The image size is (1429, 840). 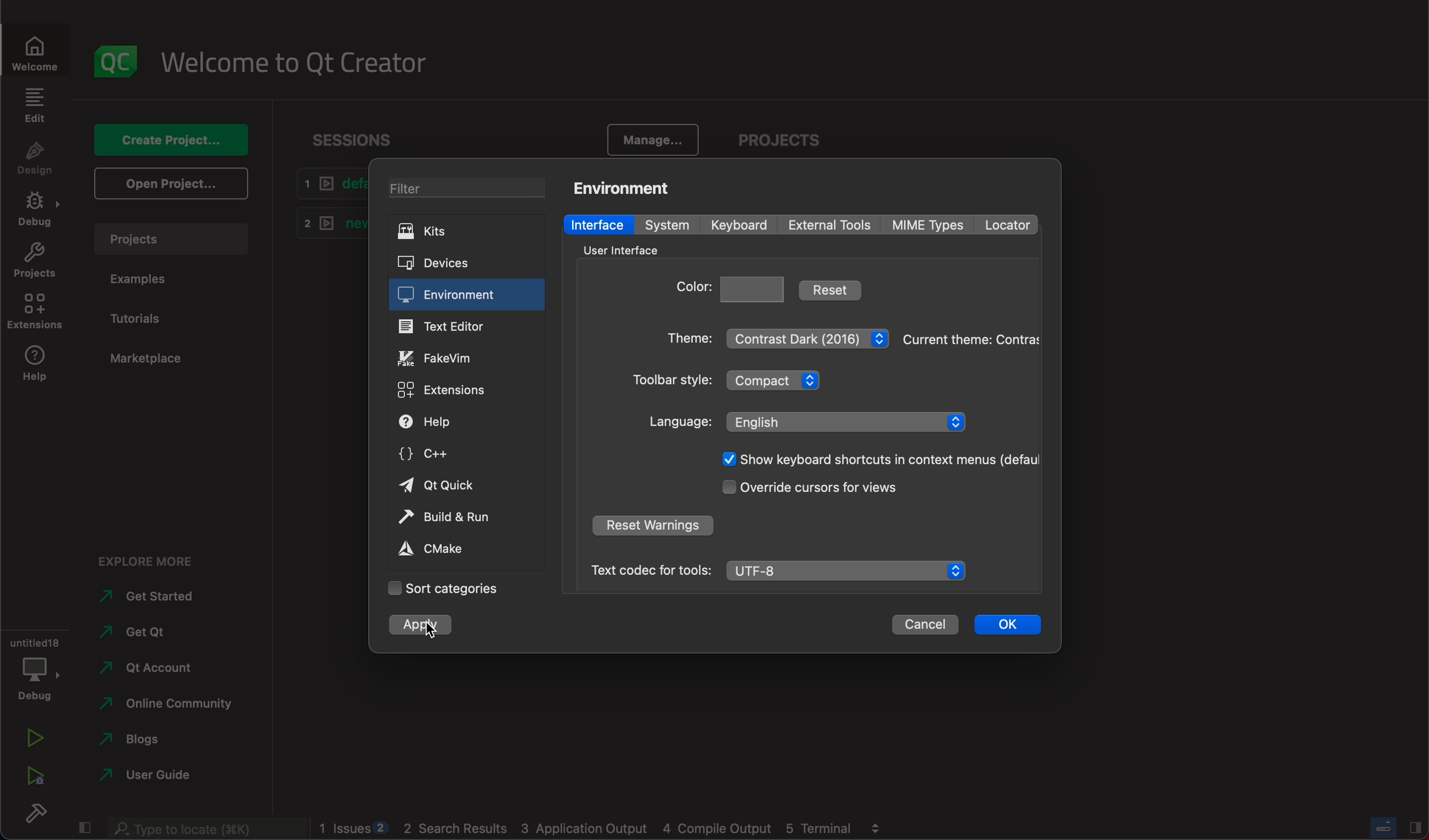 What do you see at coordinates (816, 489) in the screenshot?
I see `cursors` at bounding box center [816, 489].